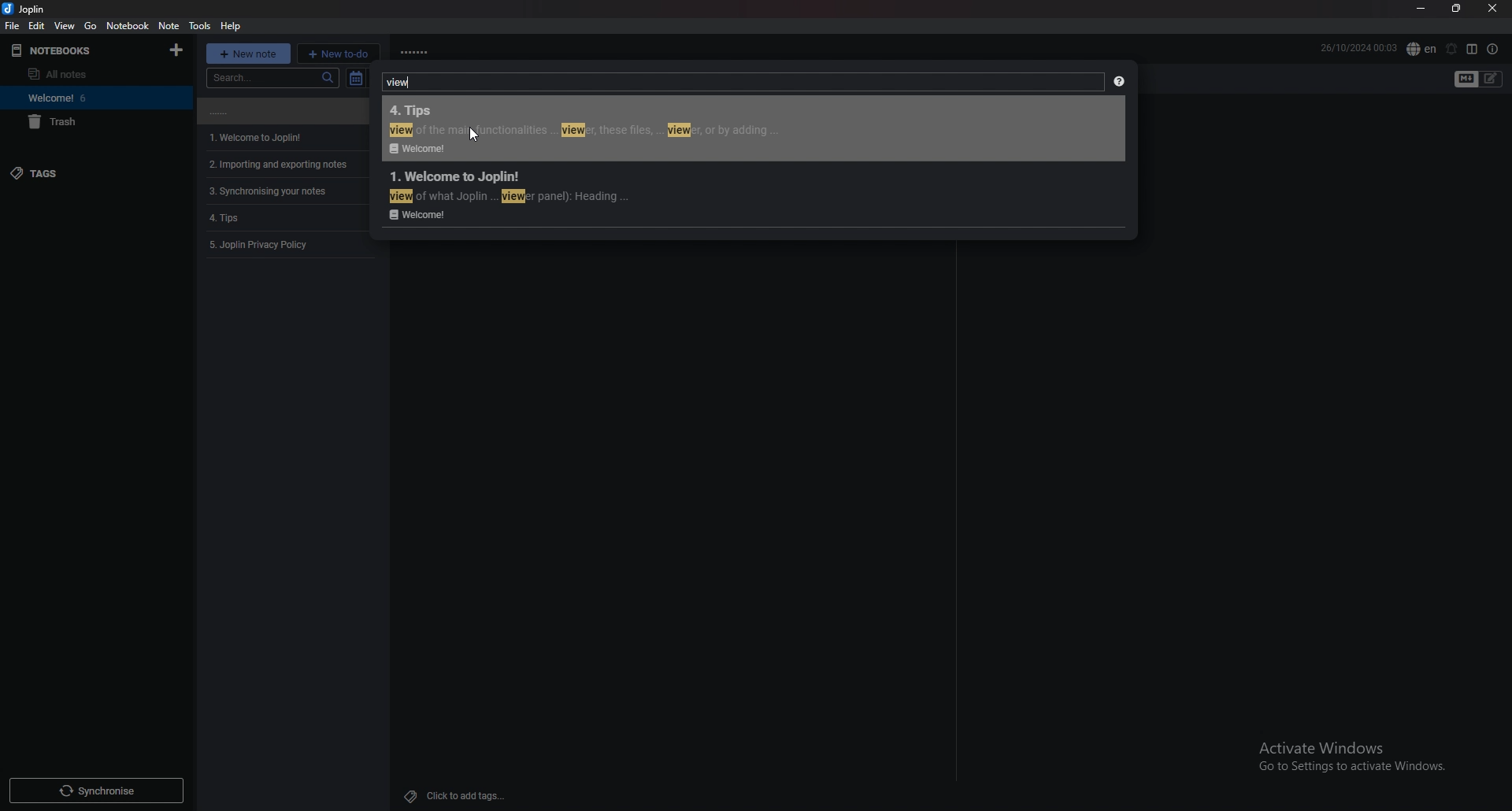  What do you see at coordinates (91, 25) in the screenshot?
I see `go` at bounding box center [91, 25].